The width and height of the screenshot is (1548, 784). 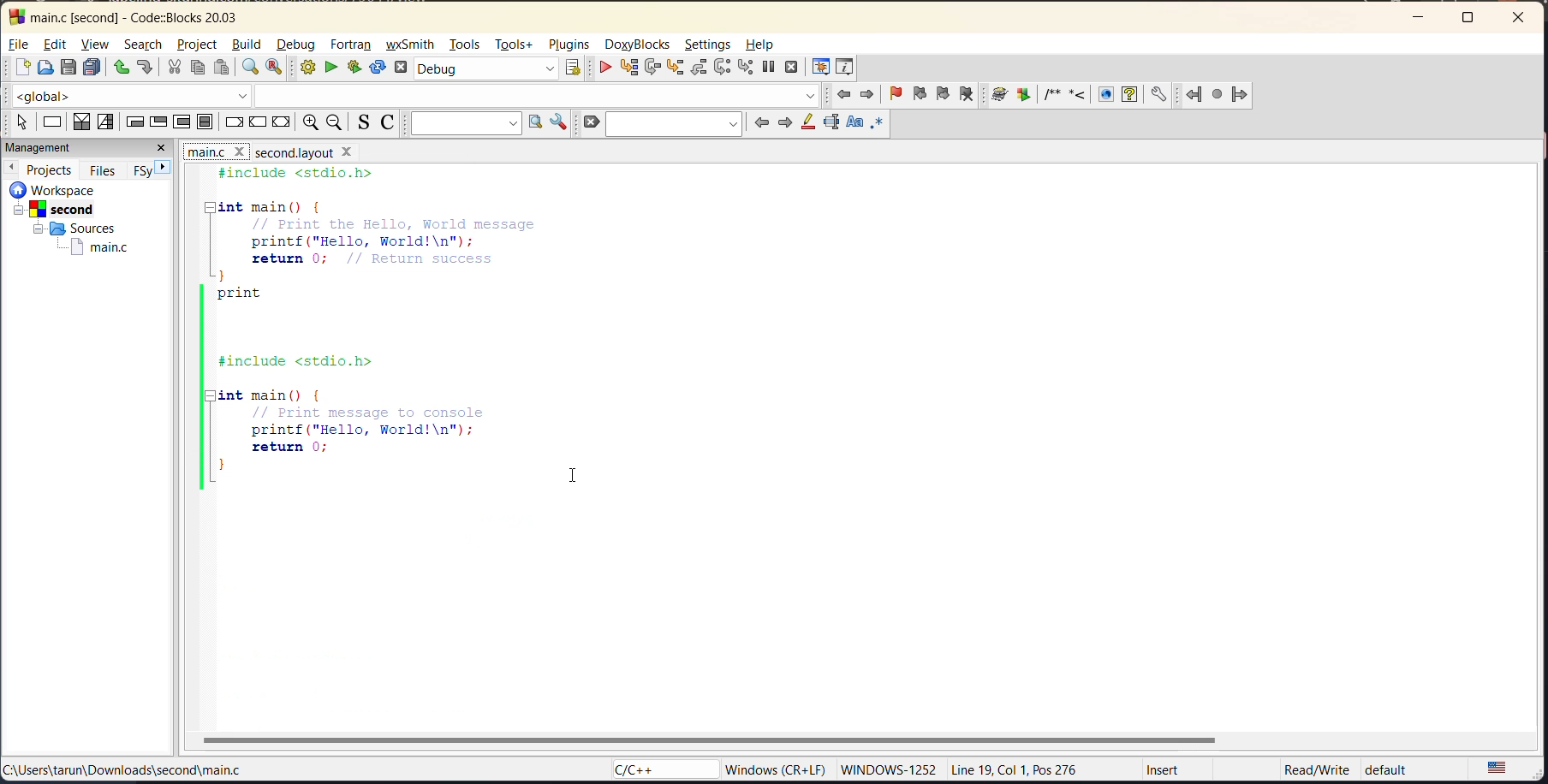 I want to click on fortran, so click(x=354, y=45).